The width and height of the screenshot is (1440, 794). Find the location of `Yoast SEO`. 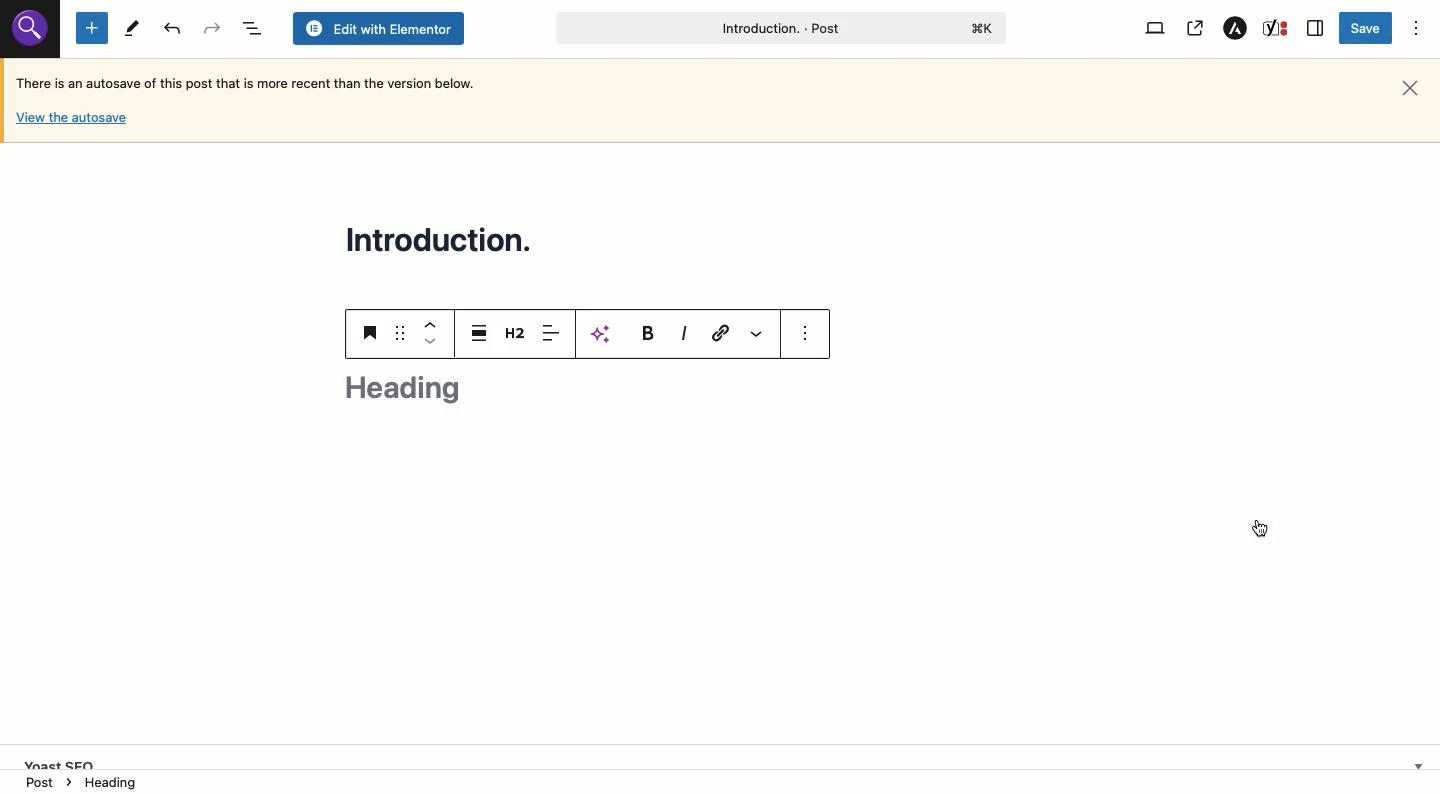

Yoast SEO is located at coordinates (727, 755).